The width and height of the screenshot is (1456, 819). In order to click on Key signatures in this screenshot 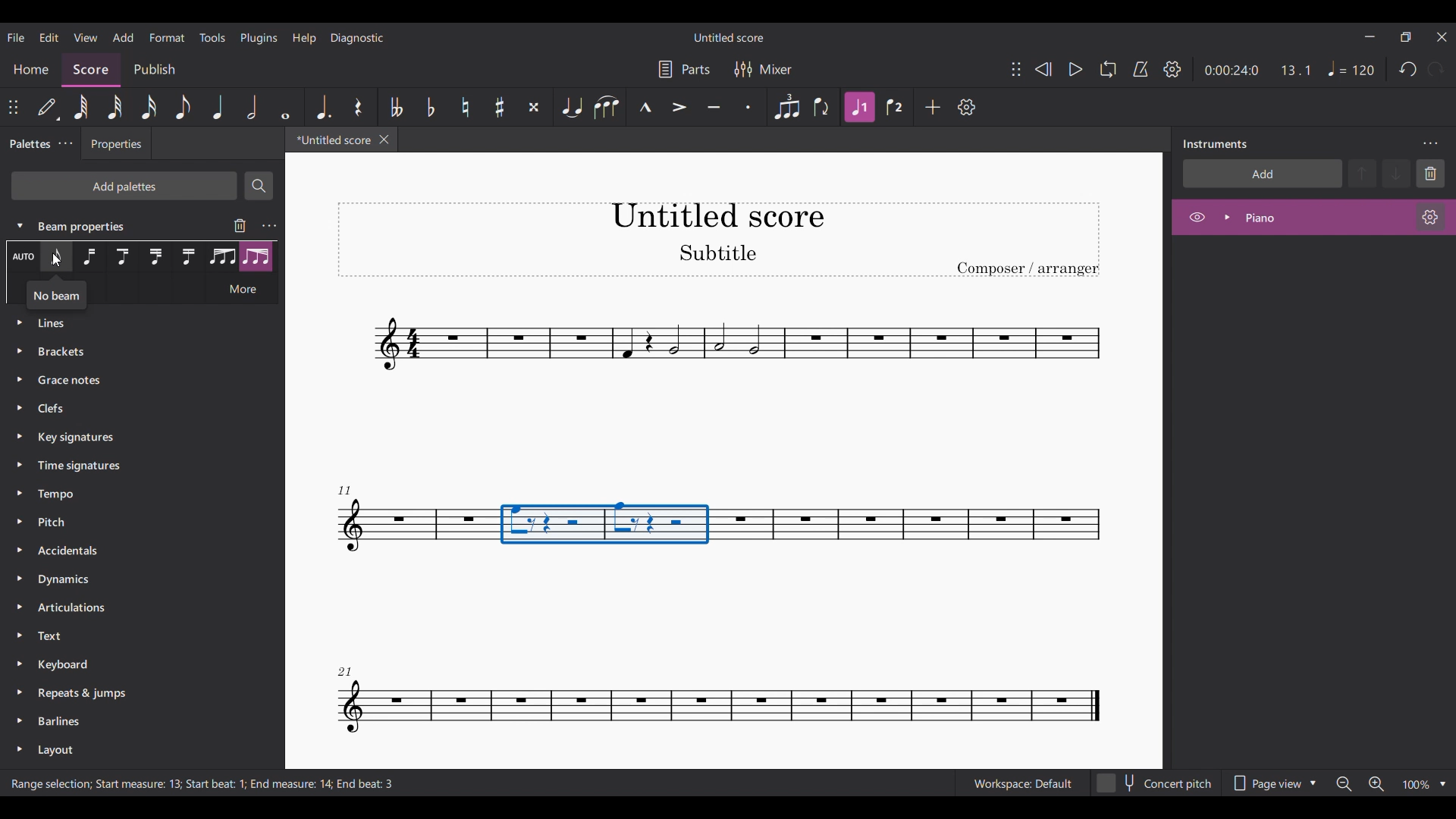, I will do `click(138, 438)`.